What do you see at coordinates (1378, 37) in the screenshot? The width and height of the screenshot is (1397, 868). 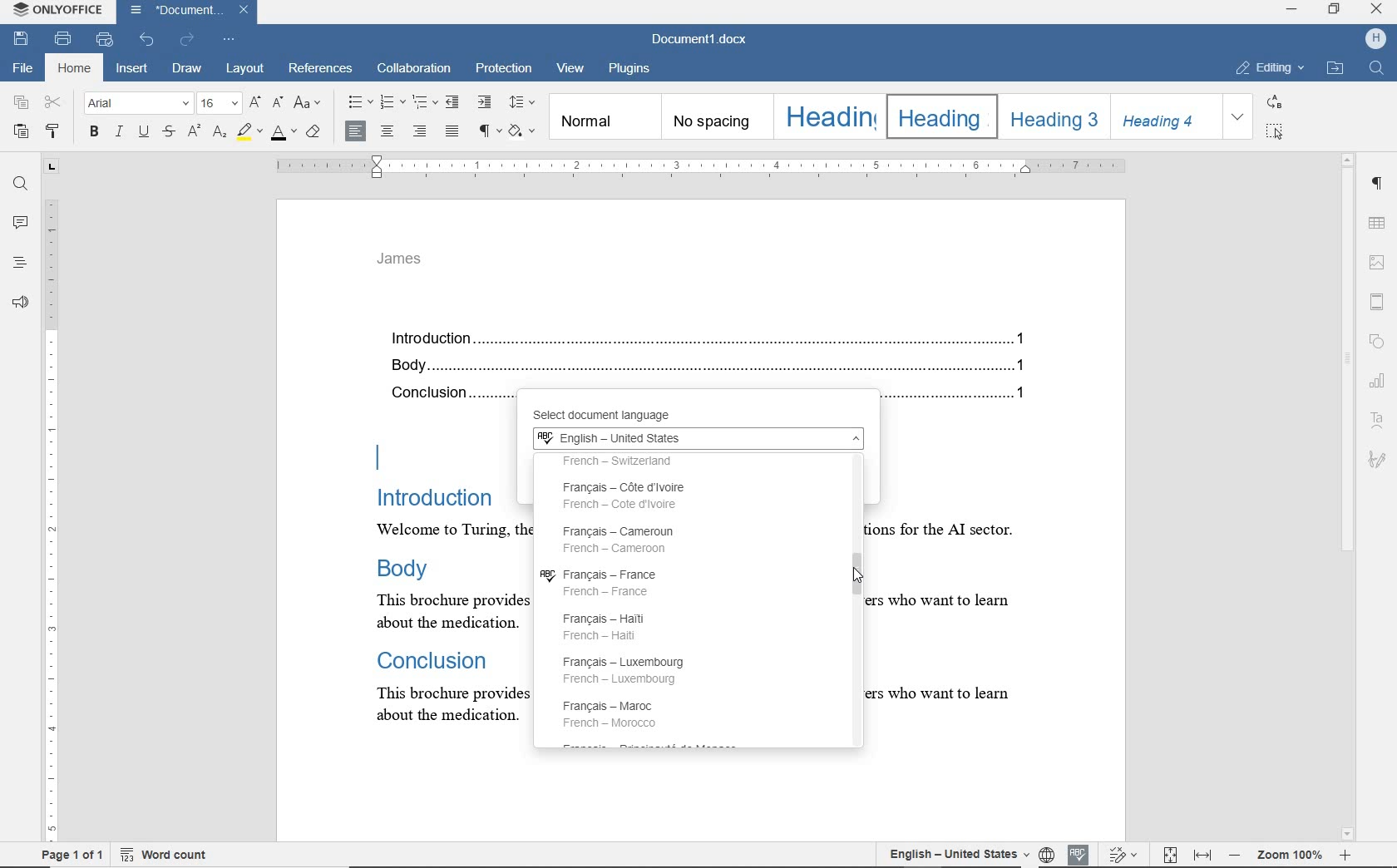 I see `profile` at bounding box center [1378, 37].